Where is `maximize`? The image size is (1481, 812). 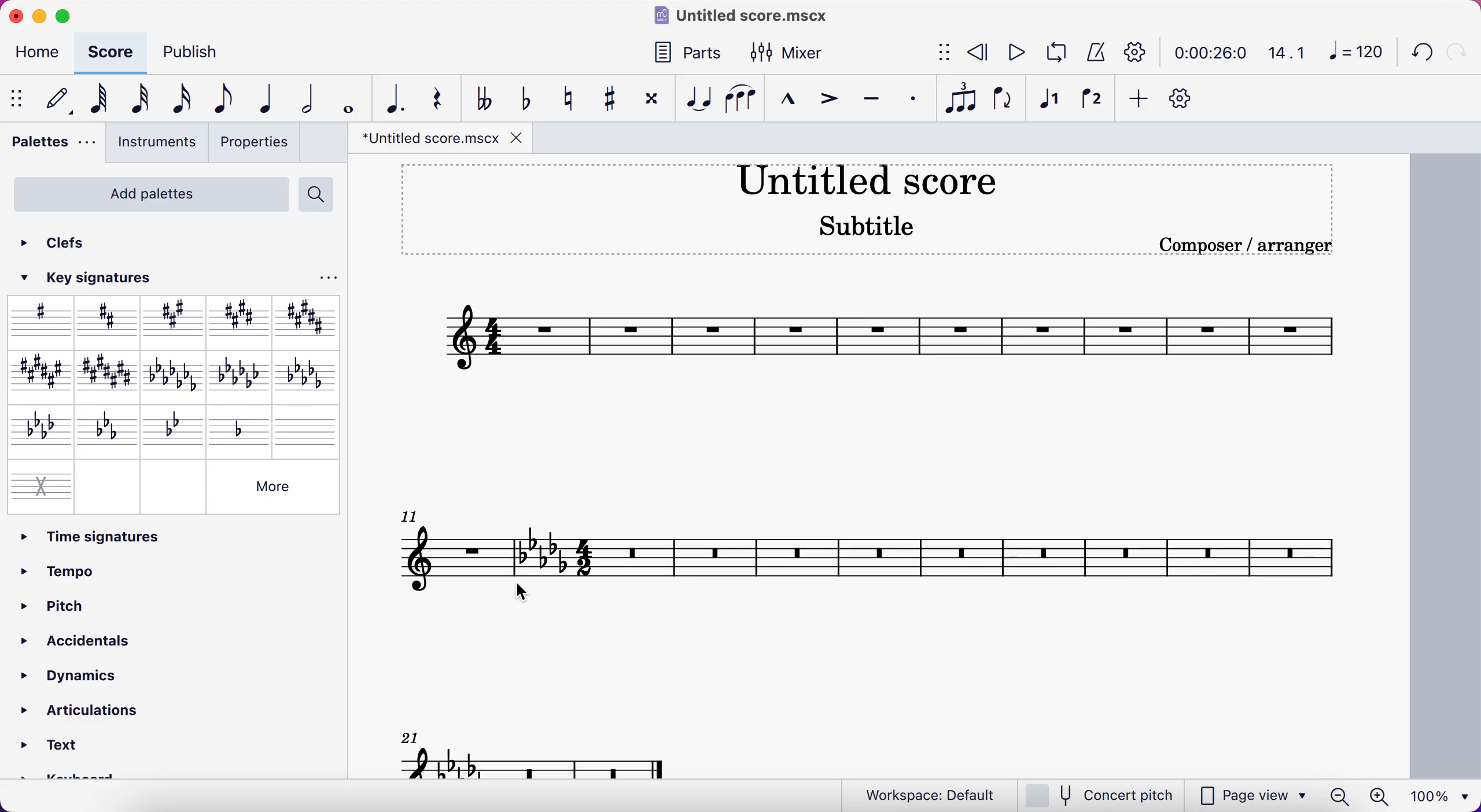 maximize is located at coordinates (68, 16).